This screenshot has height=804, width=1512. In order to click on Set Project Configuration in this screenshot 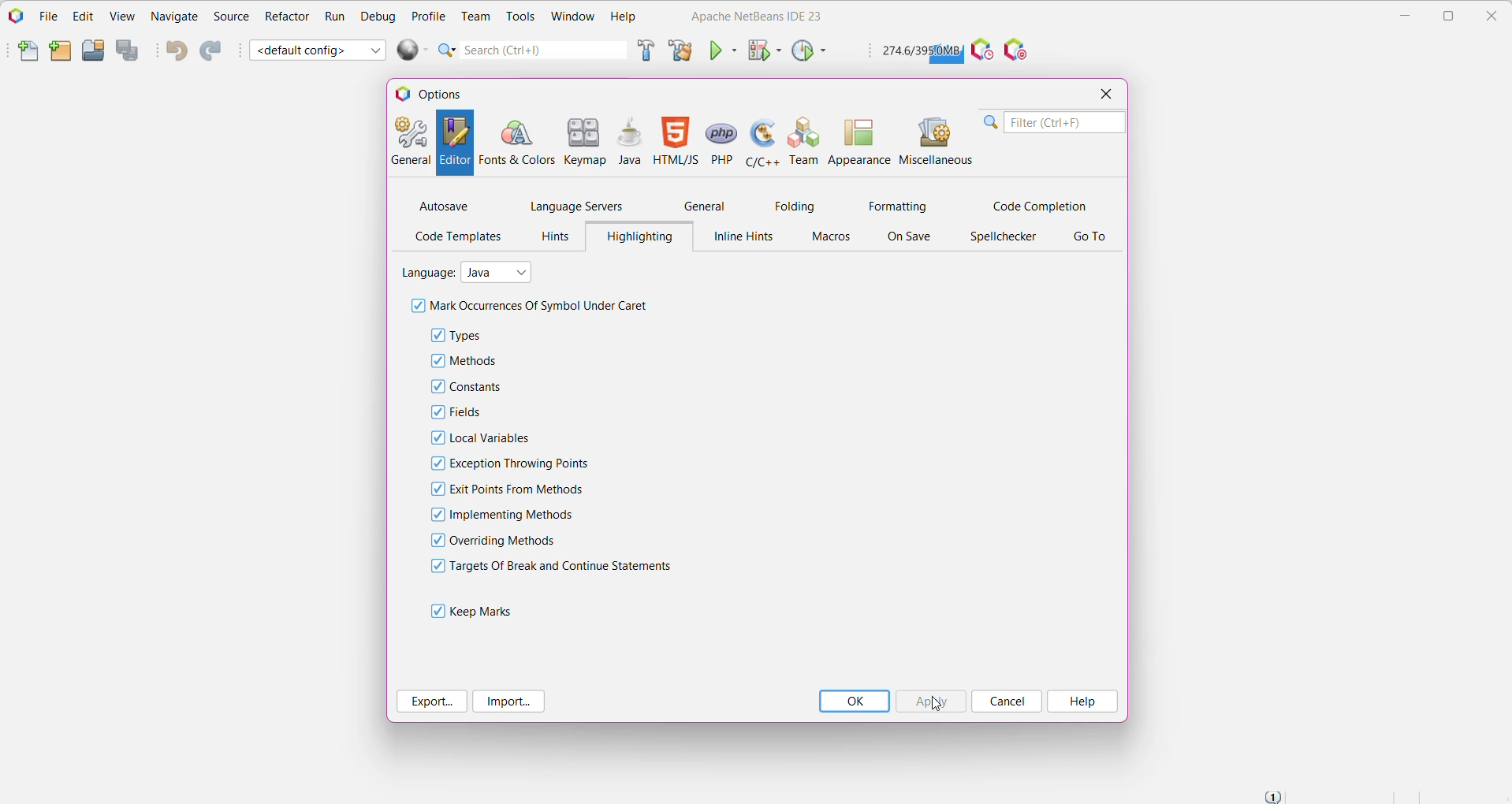, I will do `click(318, 49)`.